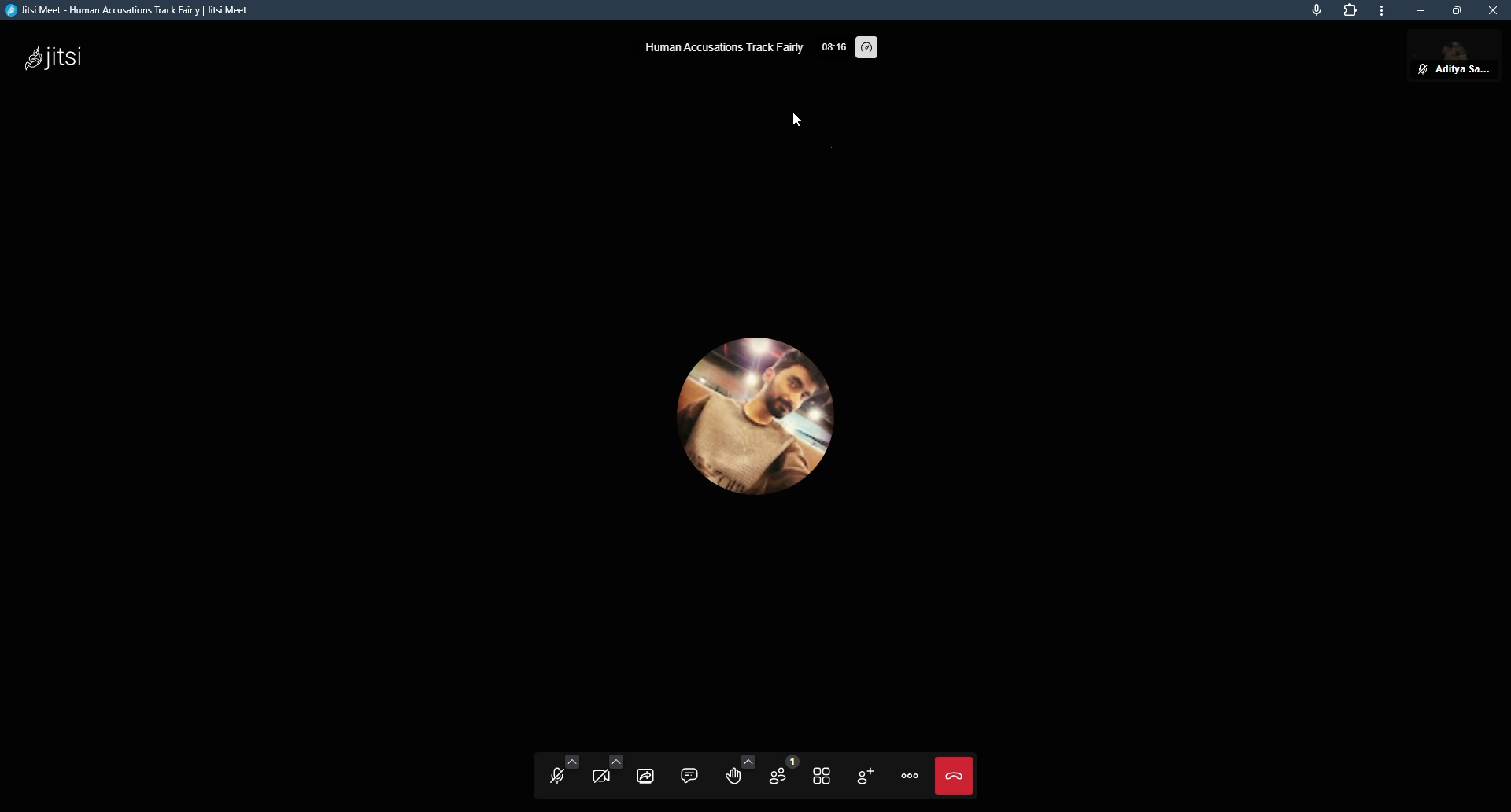 This screenshot has height=812, width=1511. What do you see at coordinates (607, 769) in the screenshot?
I see `video` at bounding box center [607, 769].